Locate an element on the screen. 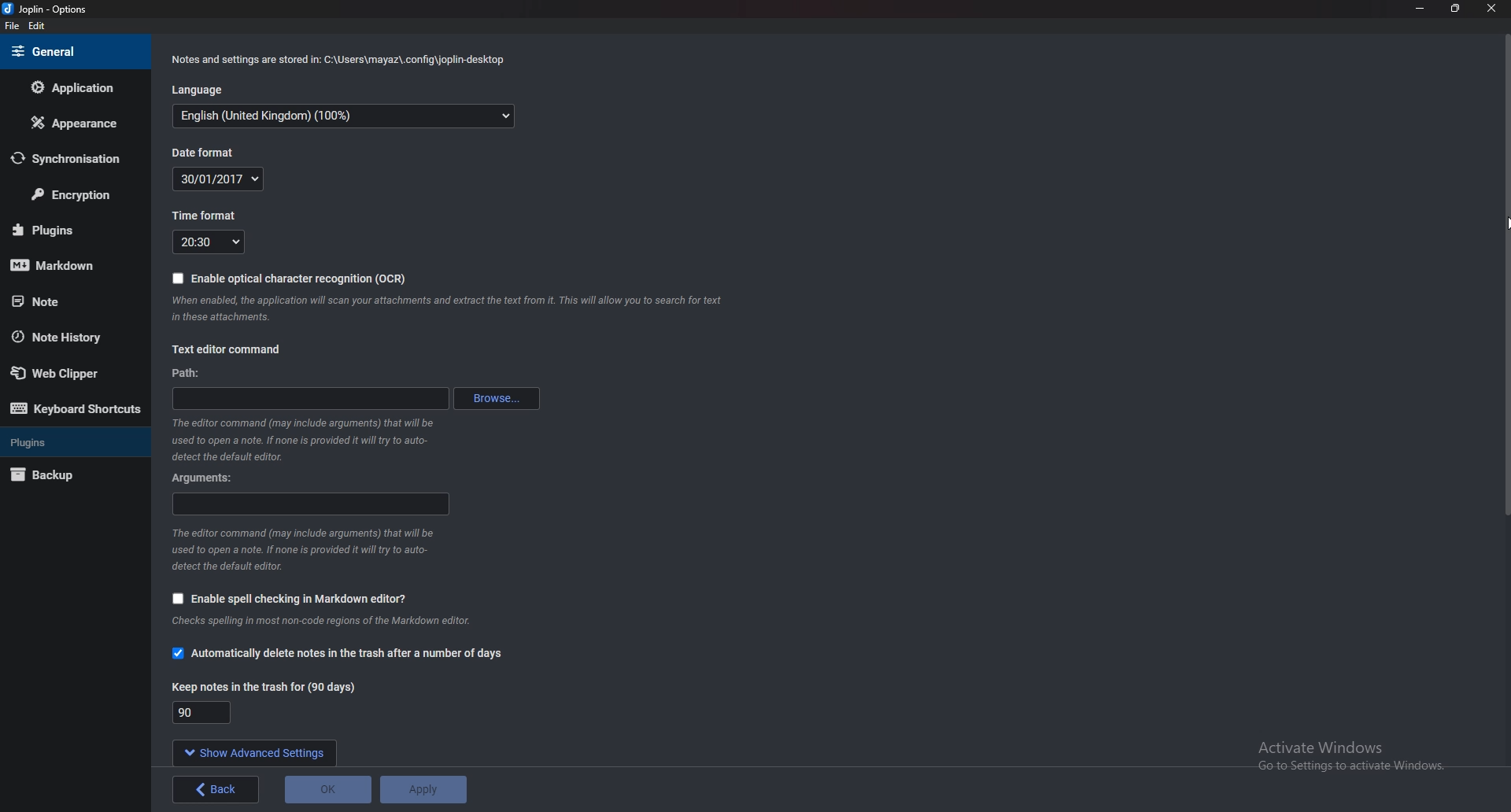  Back up is located at coordinates (66, 477).